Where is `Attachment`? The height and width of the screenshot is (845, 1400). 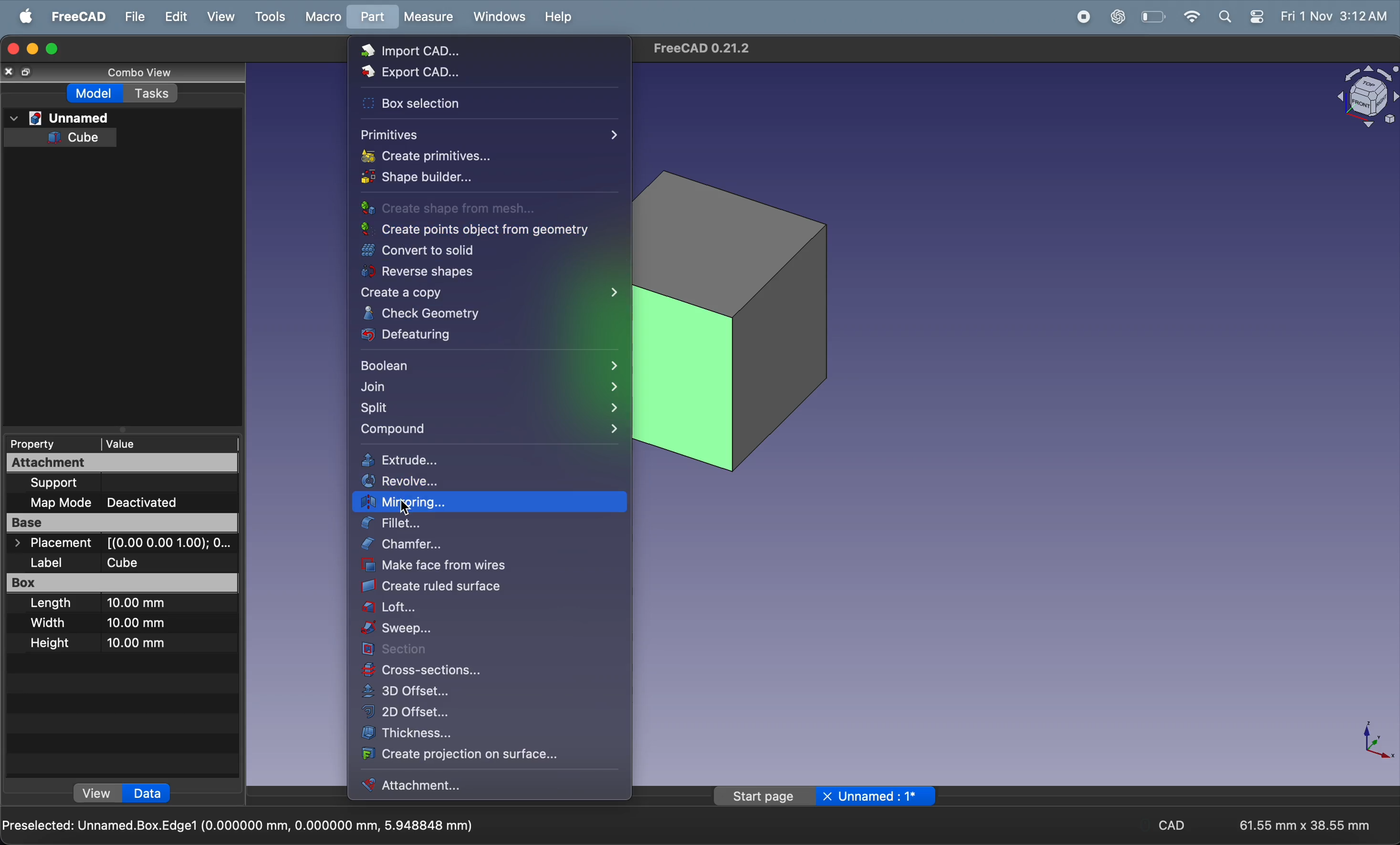 Attachment is located at coordinates (120, 463).